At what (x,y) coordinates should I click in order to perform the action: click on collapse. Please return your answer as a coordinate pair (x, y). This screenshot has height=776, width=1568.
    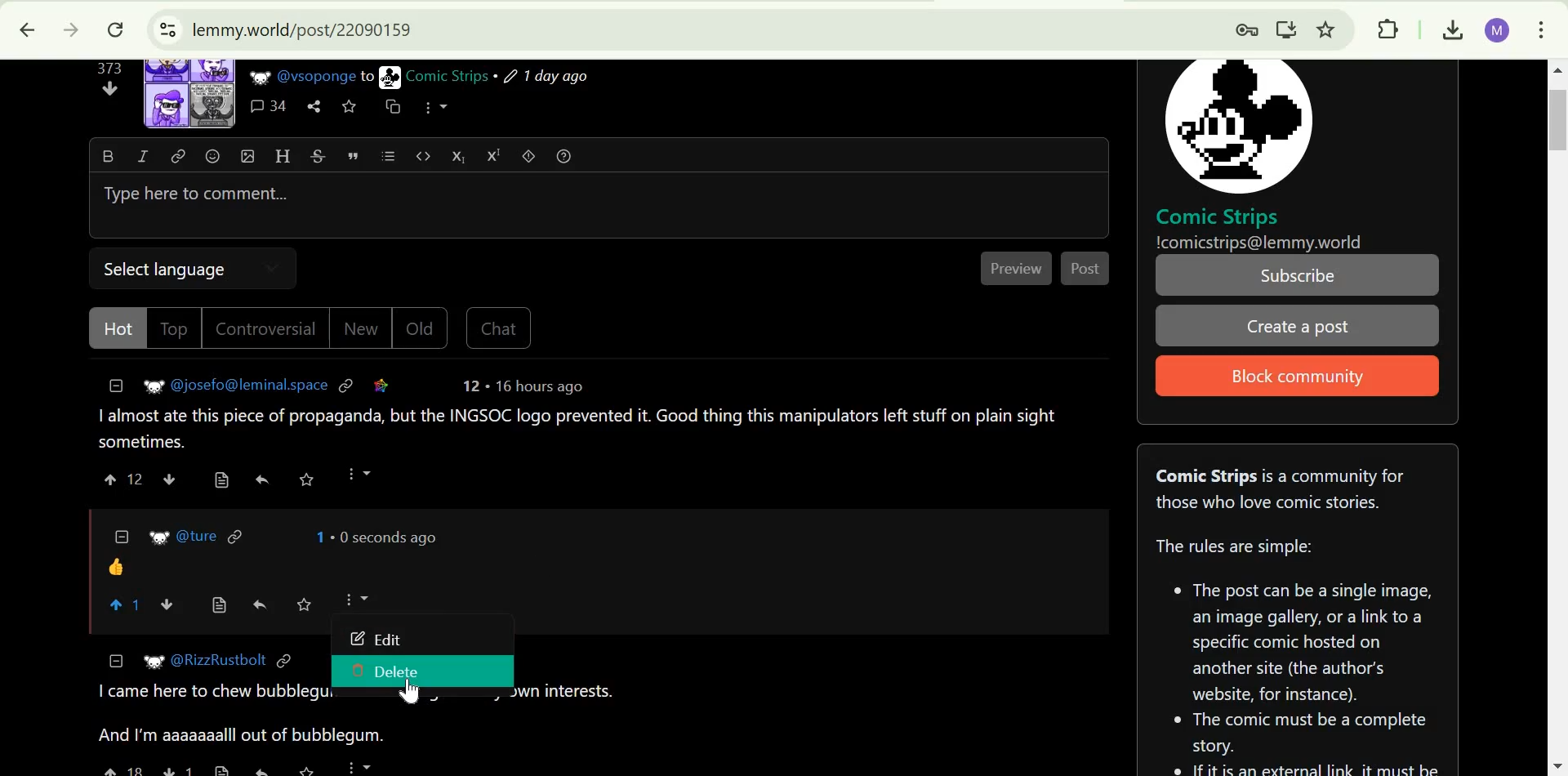
    Looking at the image, I should click on (117, 386).